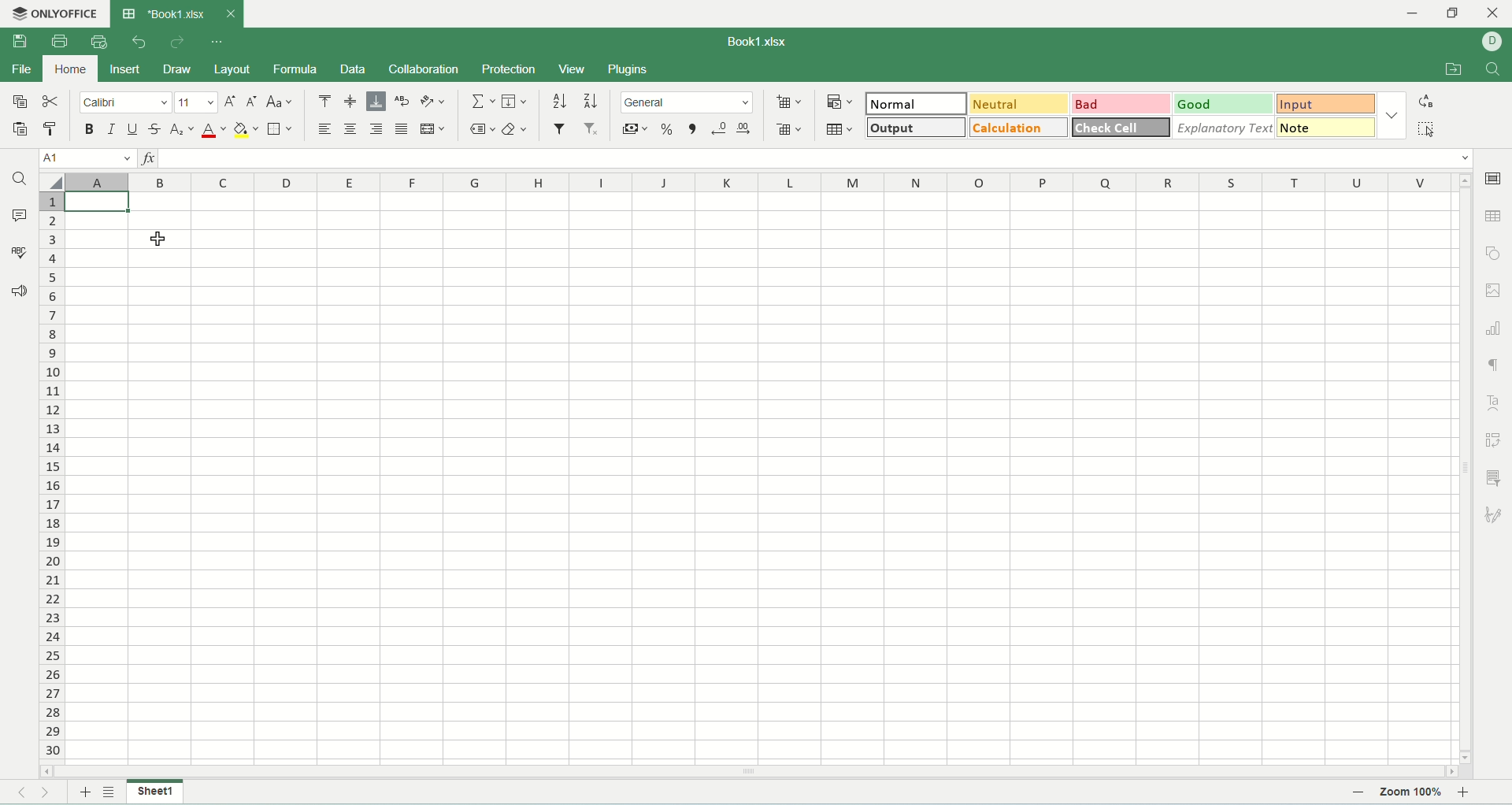  I want to click on select all, so click(1431, 129).